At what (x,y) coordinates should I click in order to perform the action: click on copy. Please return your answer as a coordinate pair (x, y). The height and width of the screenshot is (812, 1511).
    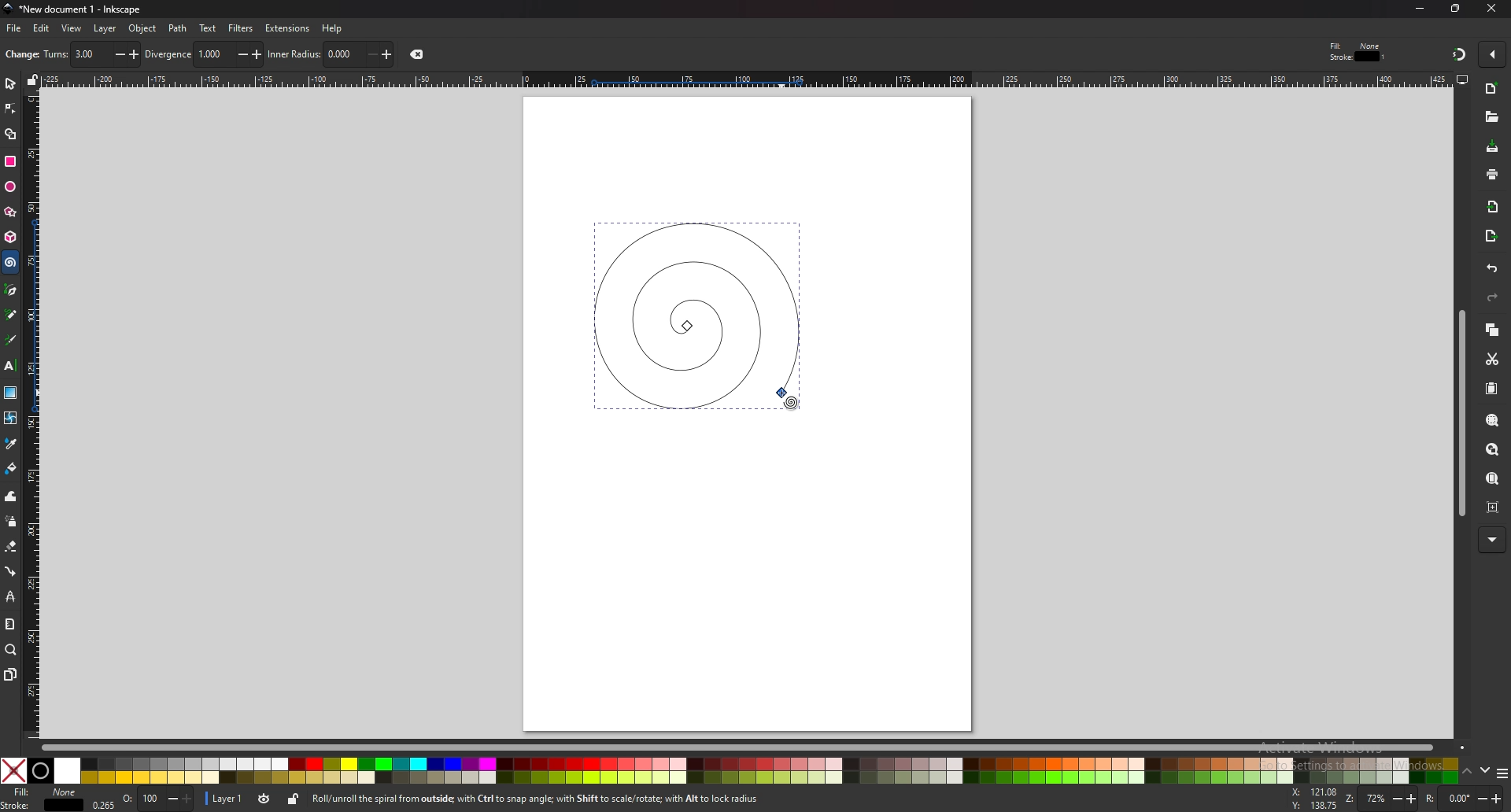
    Looking at the image, I should click on (1492, 329).